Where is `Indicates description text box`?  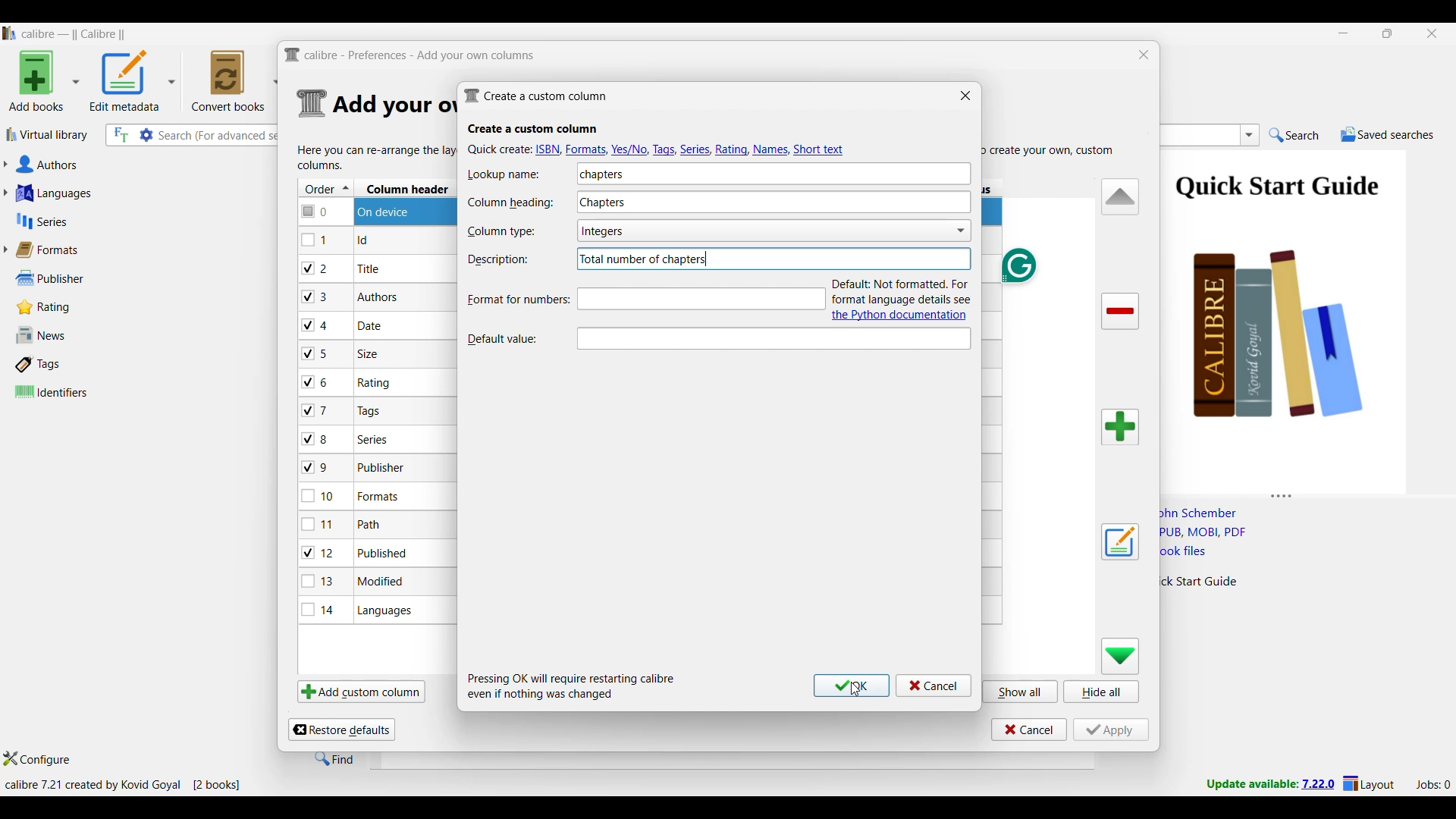 Indicates description text box is located at coordinates (498, 259).